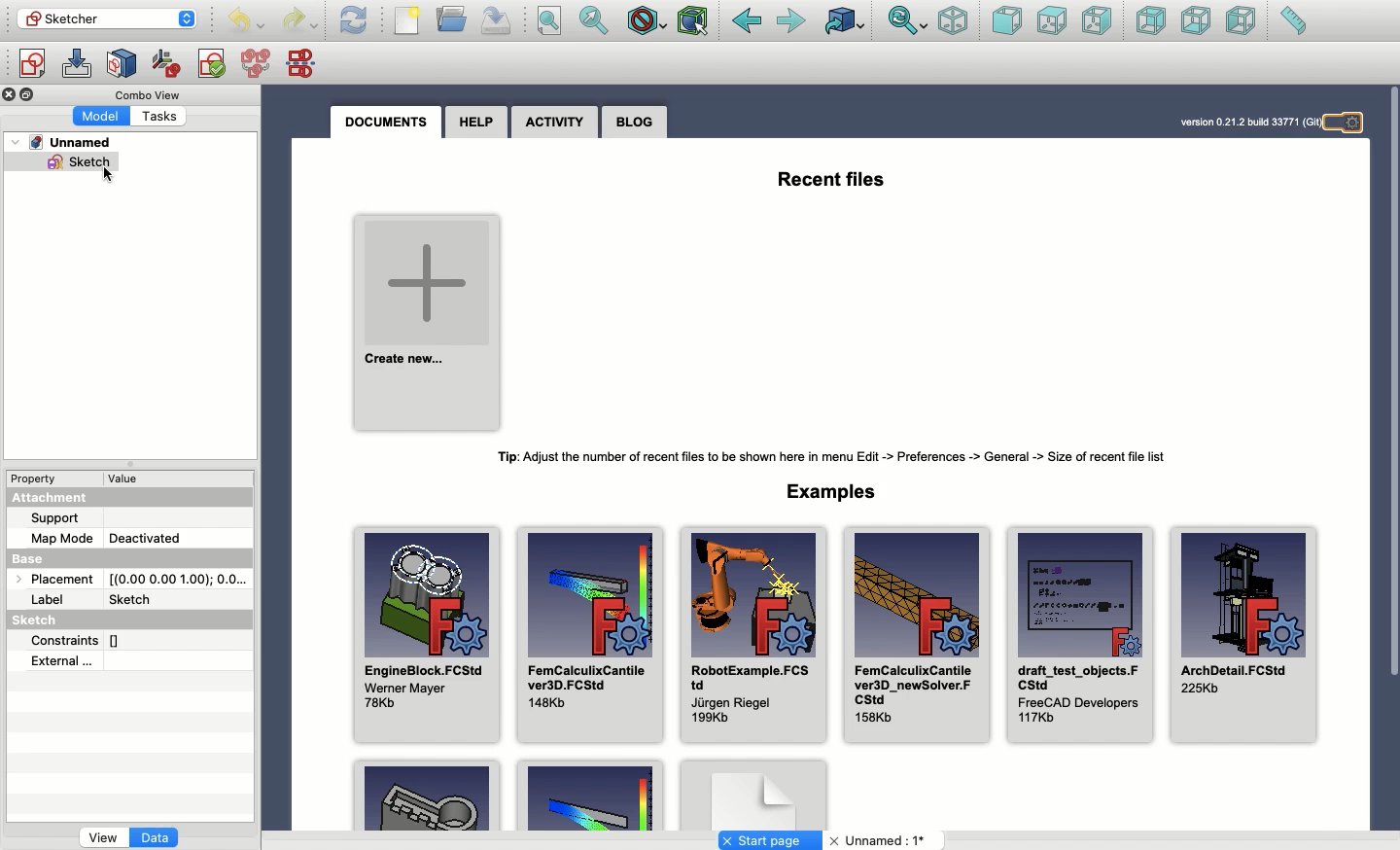  What do you see at coordinates (1244, 638) in the screenshot?
I see `ArchDetail` at bounding box center [1244, 638].